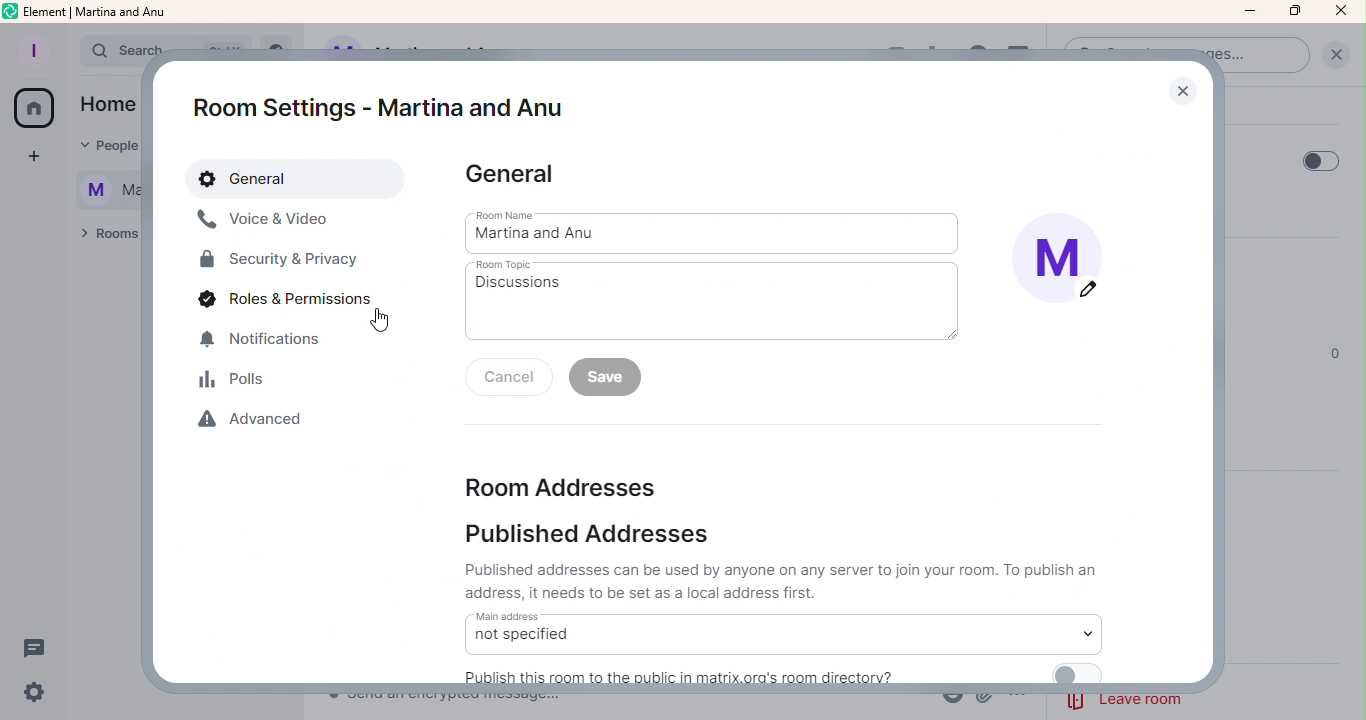 Image resolution: width=1366 pixels, height=720 pixels. I want to click on General, so click(285, 179).